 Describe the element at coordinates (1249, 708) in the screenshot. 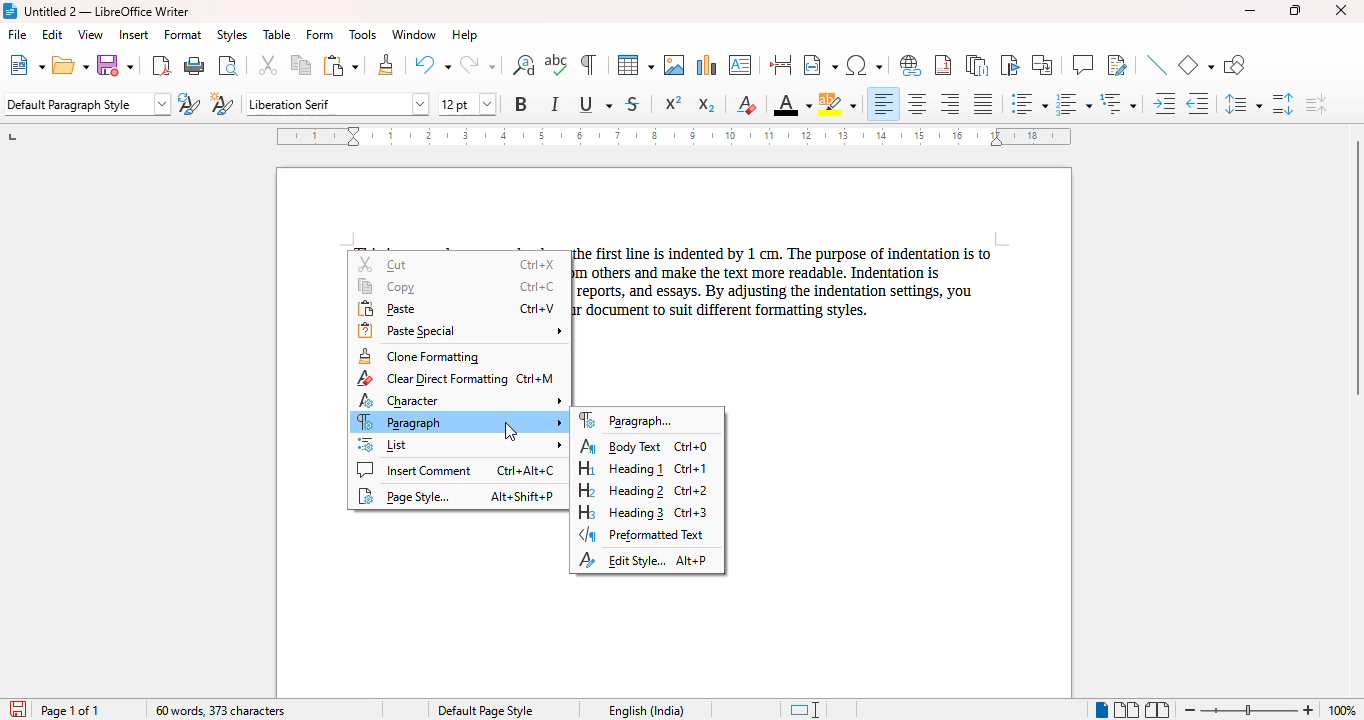

I see `zoom slider` at that location.